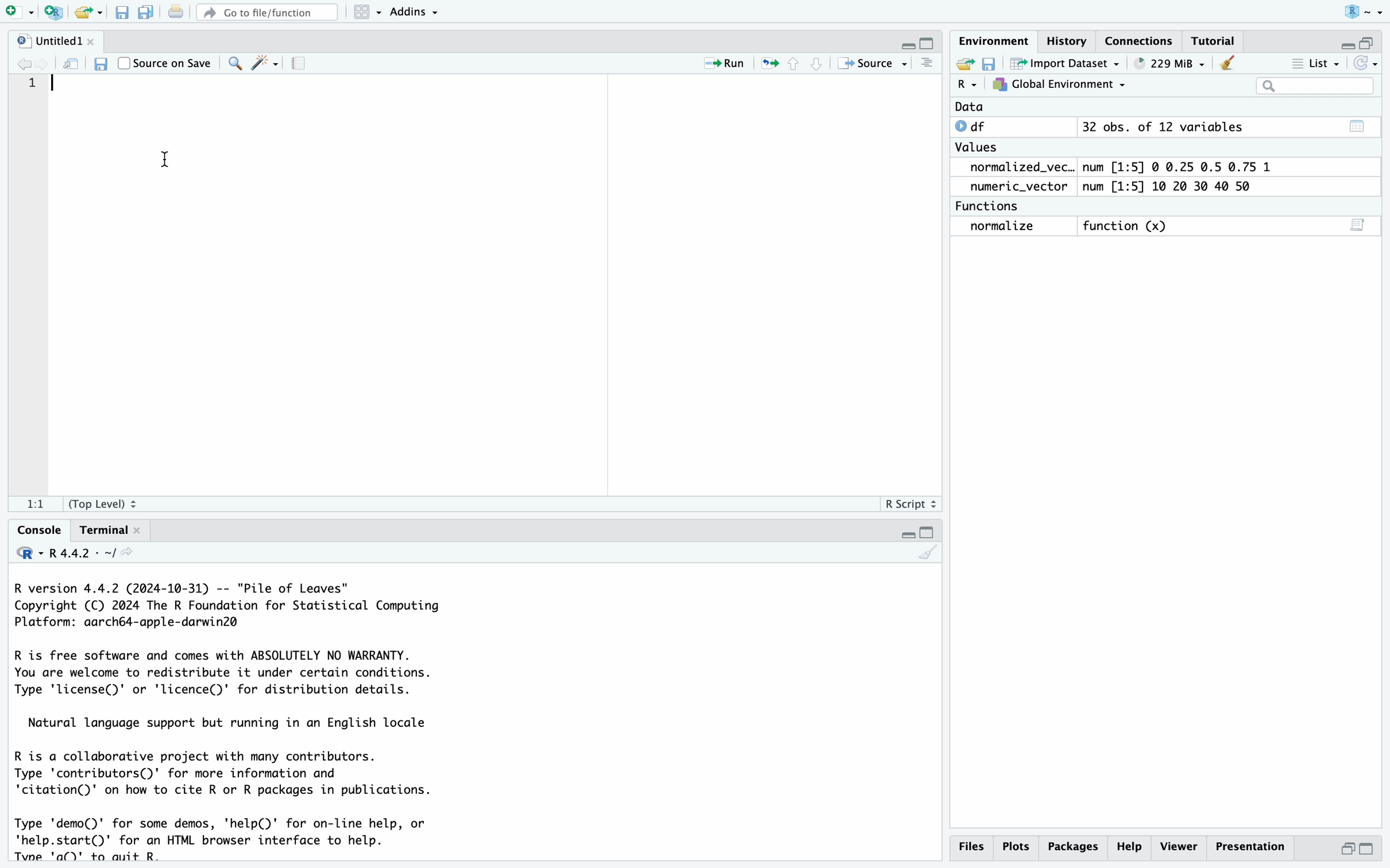  I want to click on Source, so click(868, 65).